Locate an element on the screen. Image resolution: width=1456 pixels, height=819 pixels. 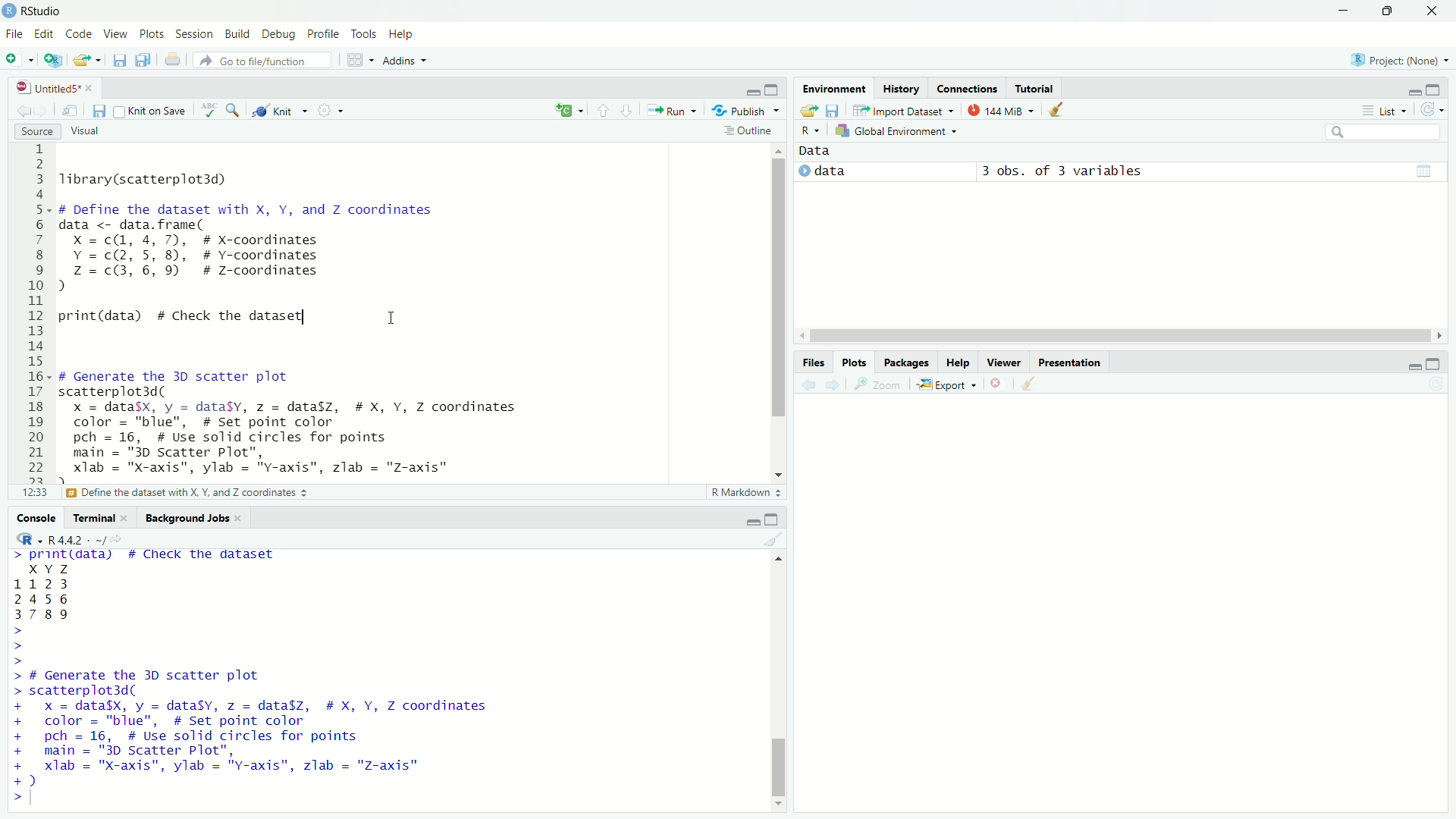
close is located at coordinates (241, 519).